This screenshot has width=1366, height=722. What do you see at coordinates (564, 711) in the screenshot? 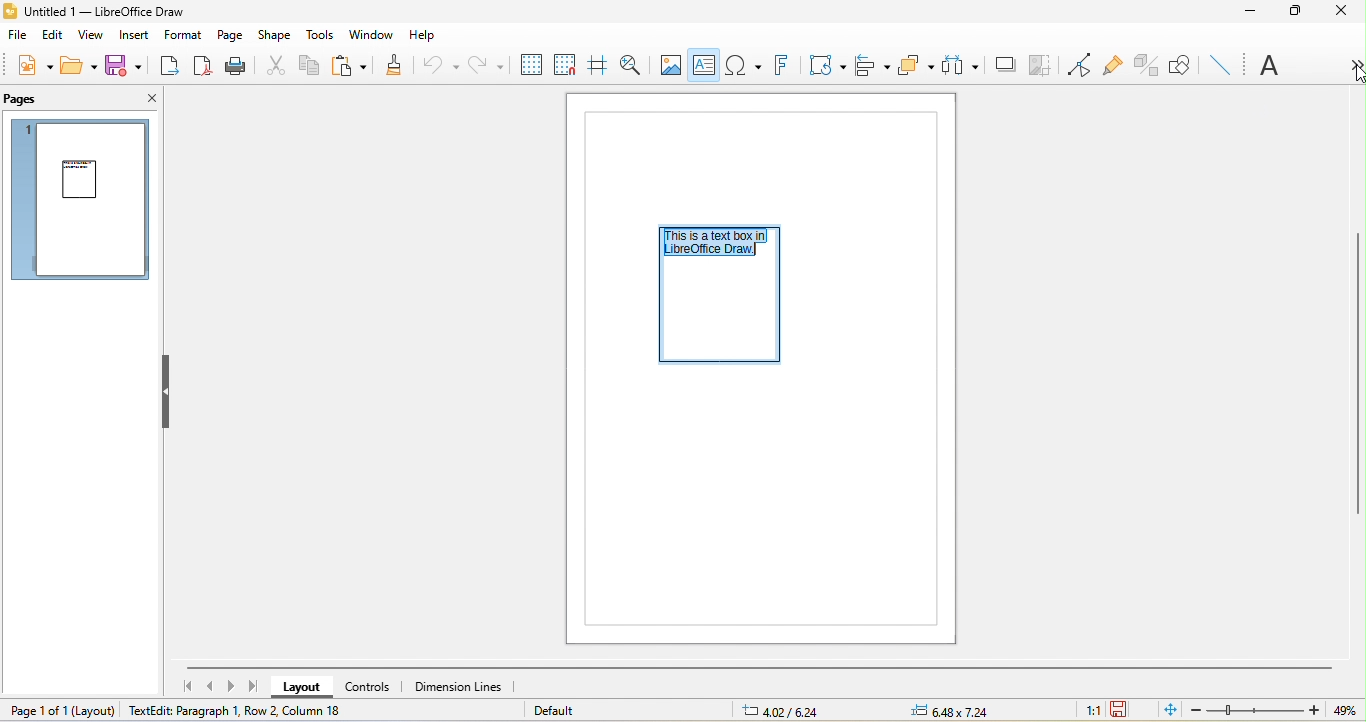
I see `default` at bounding box center [564, 711].